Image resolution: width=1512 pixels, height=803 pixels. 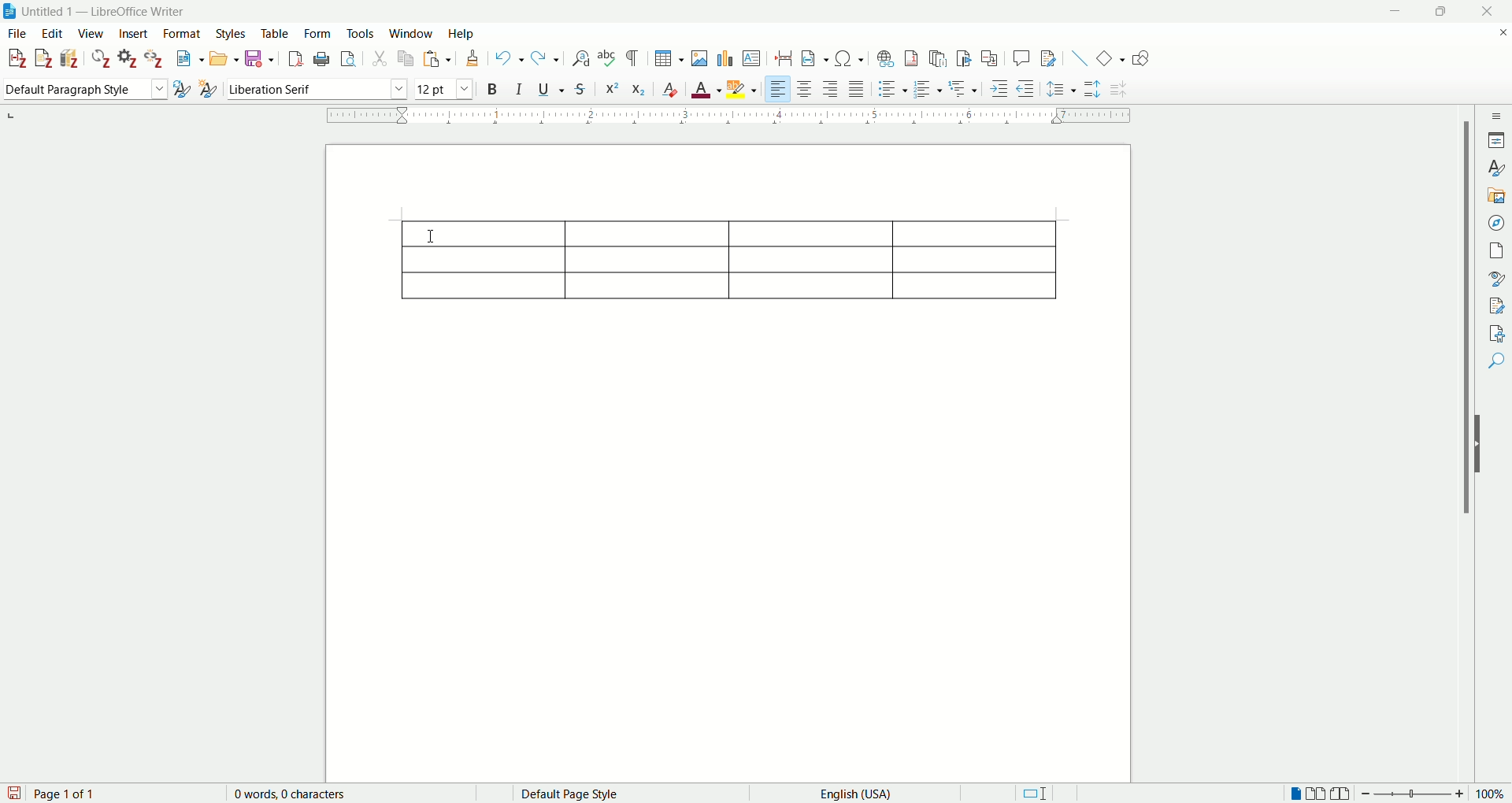 What do you see at coordinates (69, 57) in the screenshot?
I see `add bibliography` at bounding box center [69, 57].